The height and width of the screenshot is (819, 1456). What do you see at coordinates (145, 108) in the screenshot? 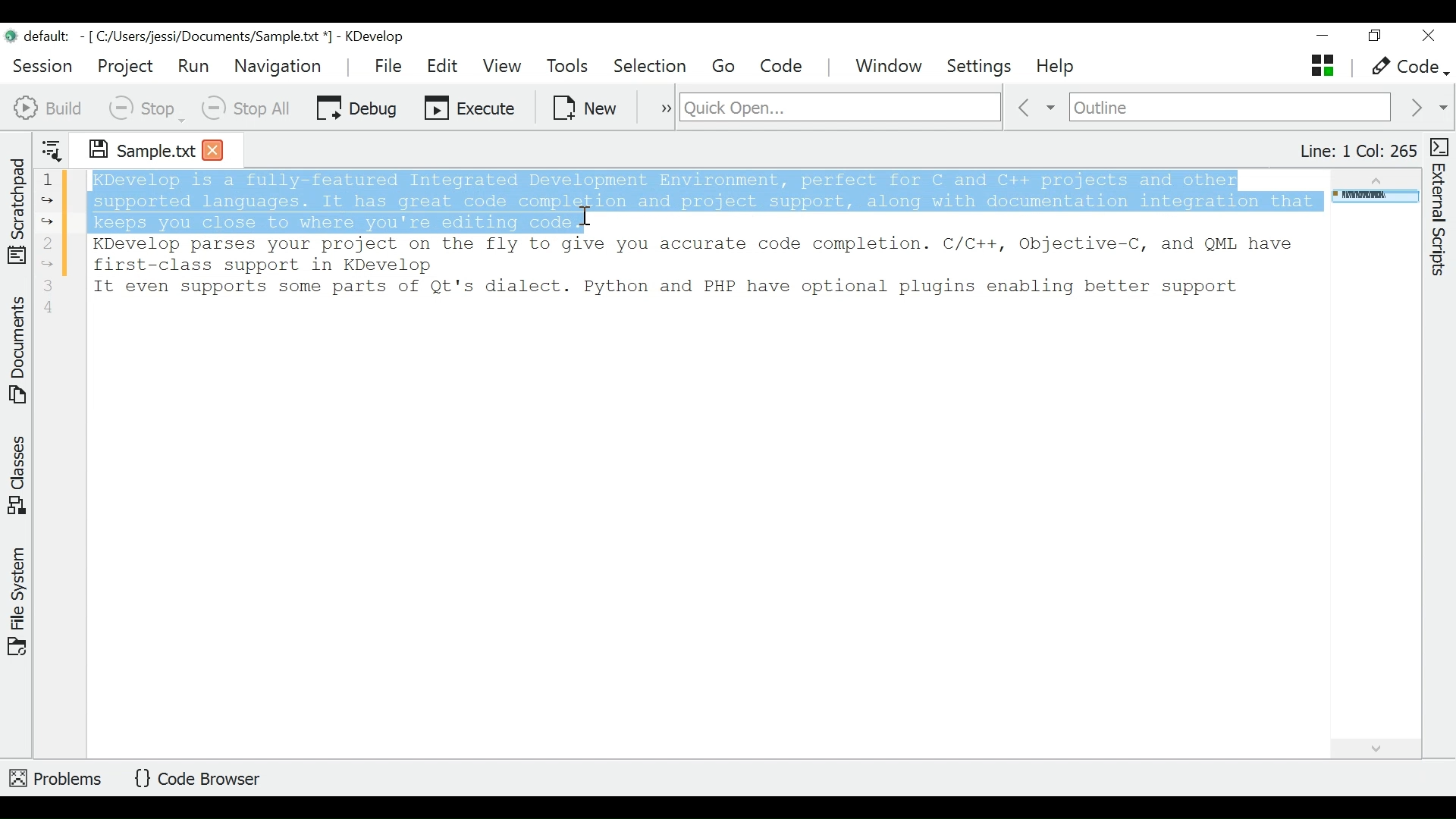
I see `Stop` at bounding box center [145, 108].